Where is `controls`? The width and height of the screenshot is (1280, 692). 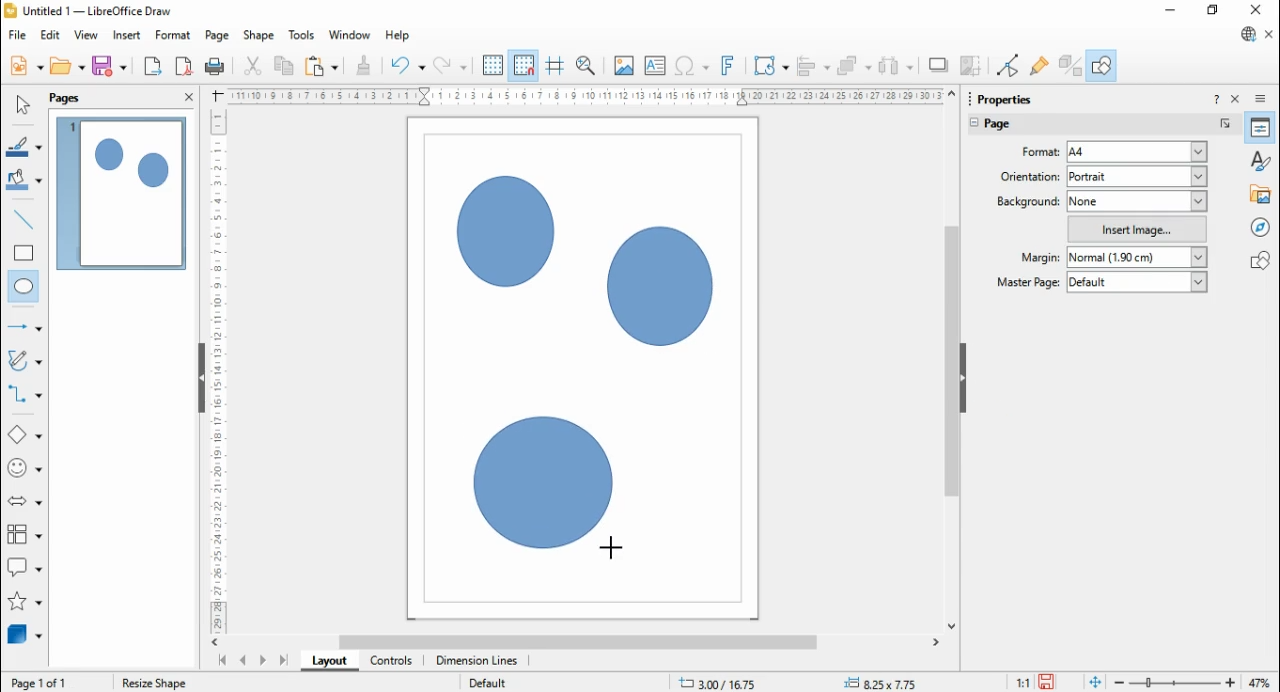
controls is located at coordinates (390, 661).